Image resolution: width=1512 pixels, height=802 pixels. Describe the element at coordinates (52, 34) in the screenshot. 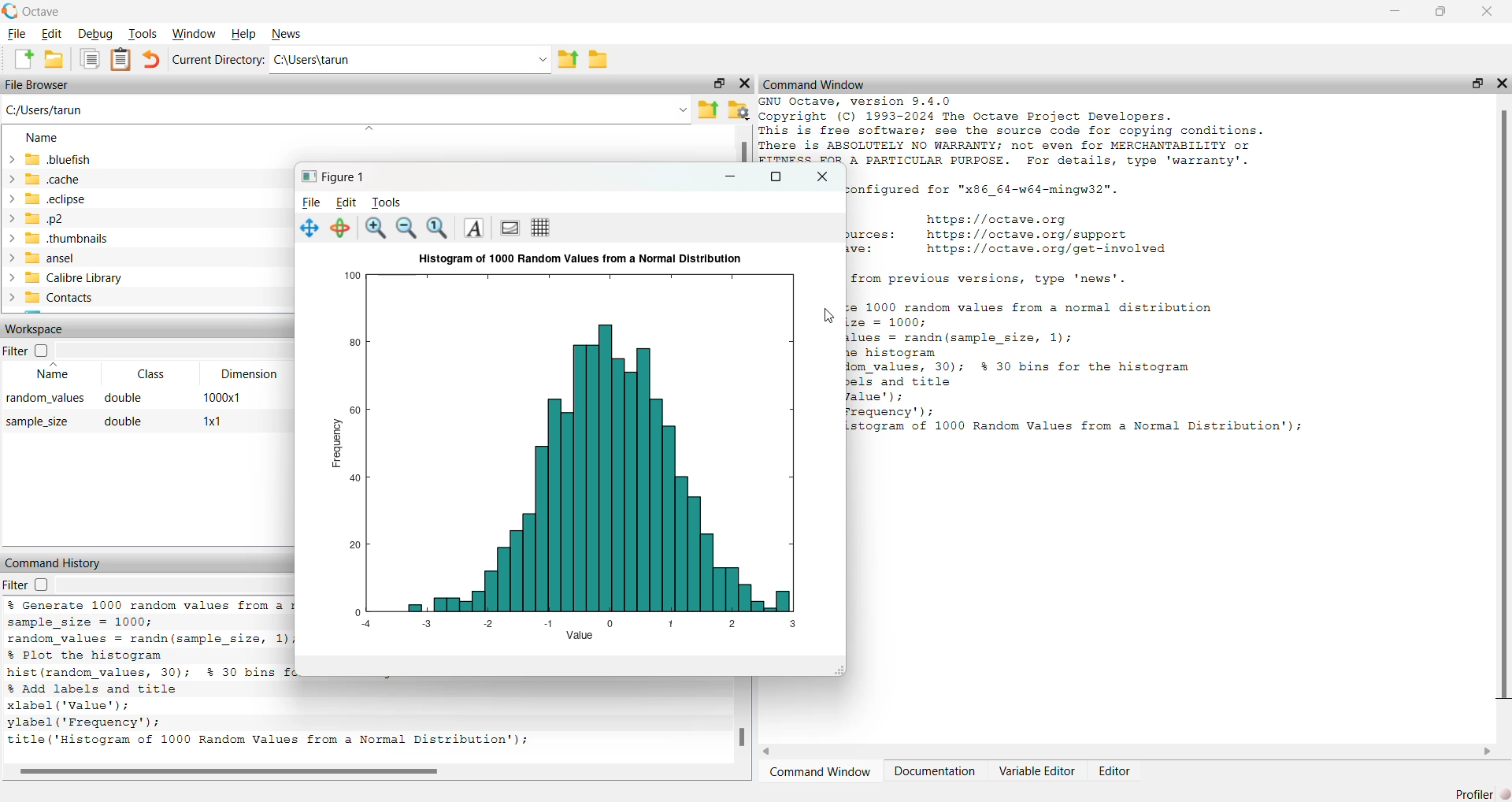

I see `Edit` at that location.